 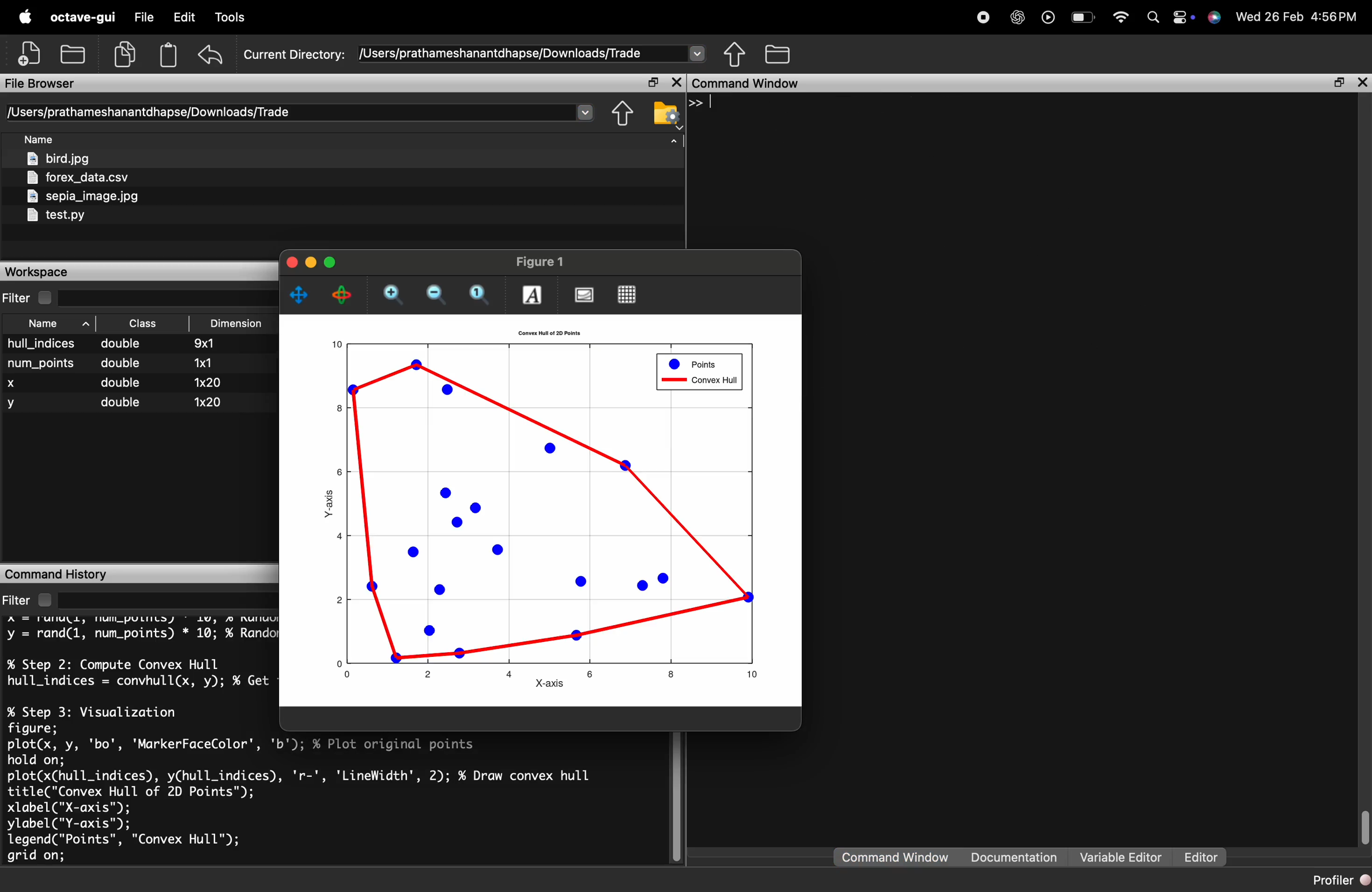 What do you see at coordinates (286, 17) in the screenshot?
I see `Tools` at bounding box center [286, 17].